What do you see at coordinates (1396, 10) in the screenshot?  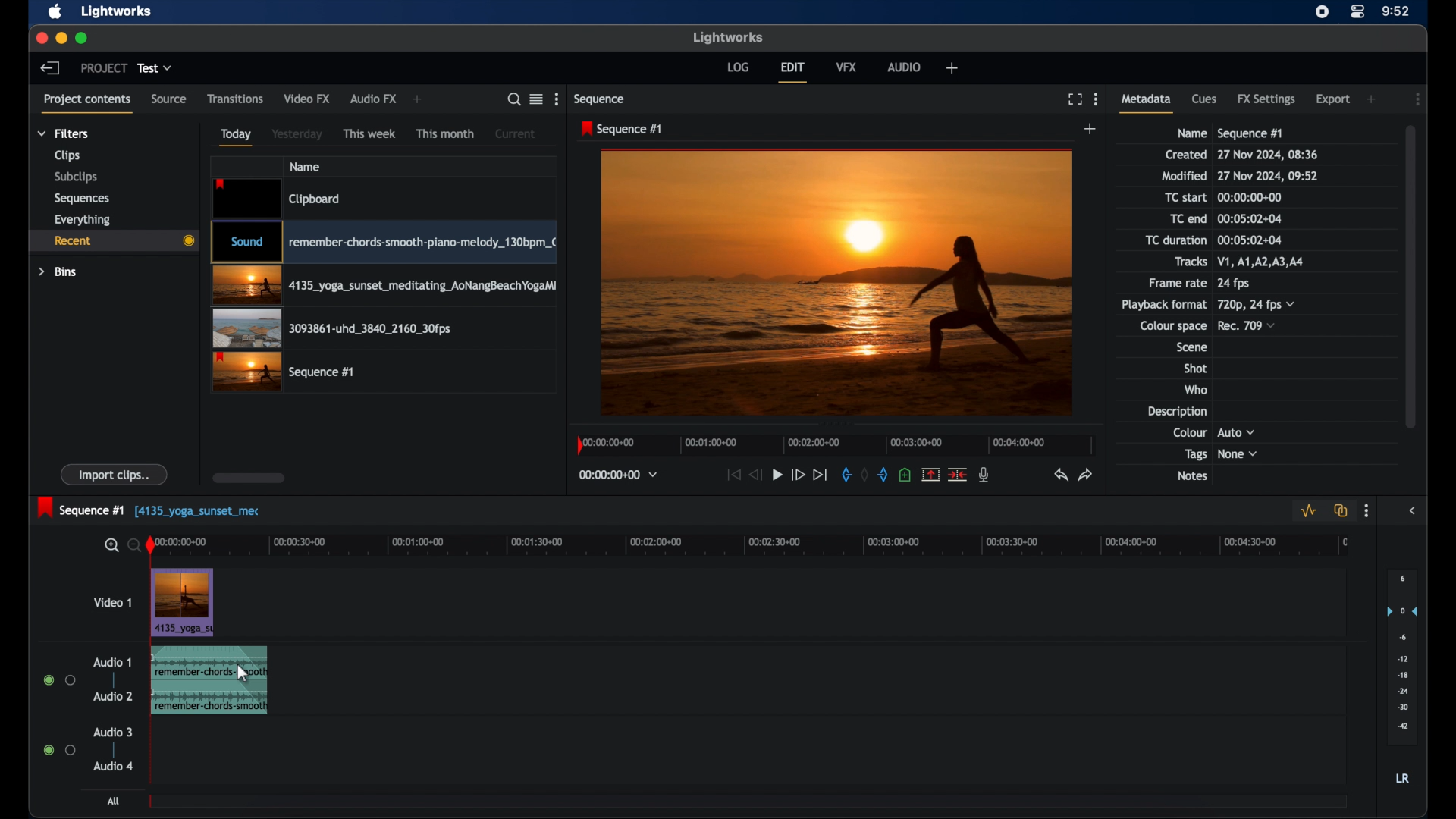 I see `time` at bounding box center [1396, 10].